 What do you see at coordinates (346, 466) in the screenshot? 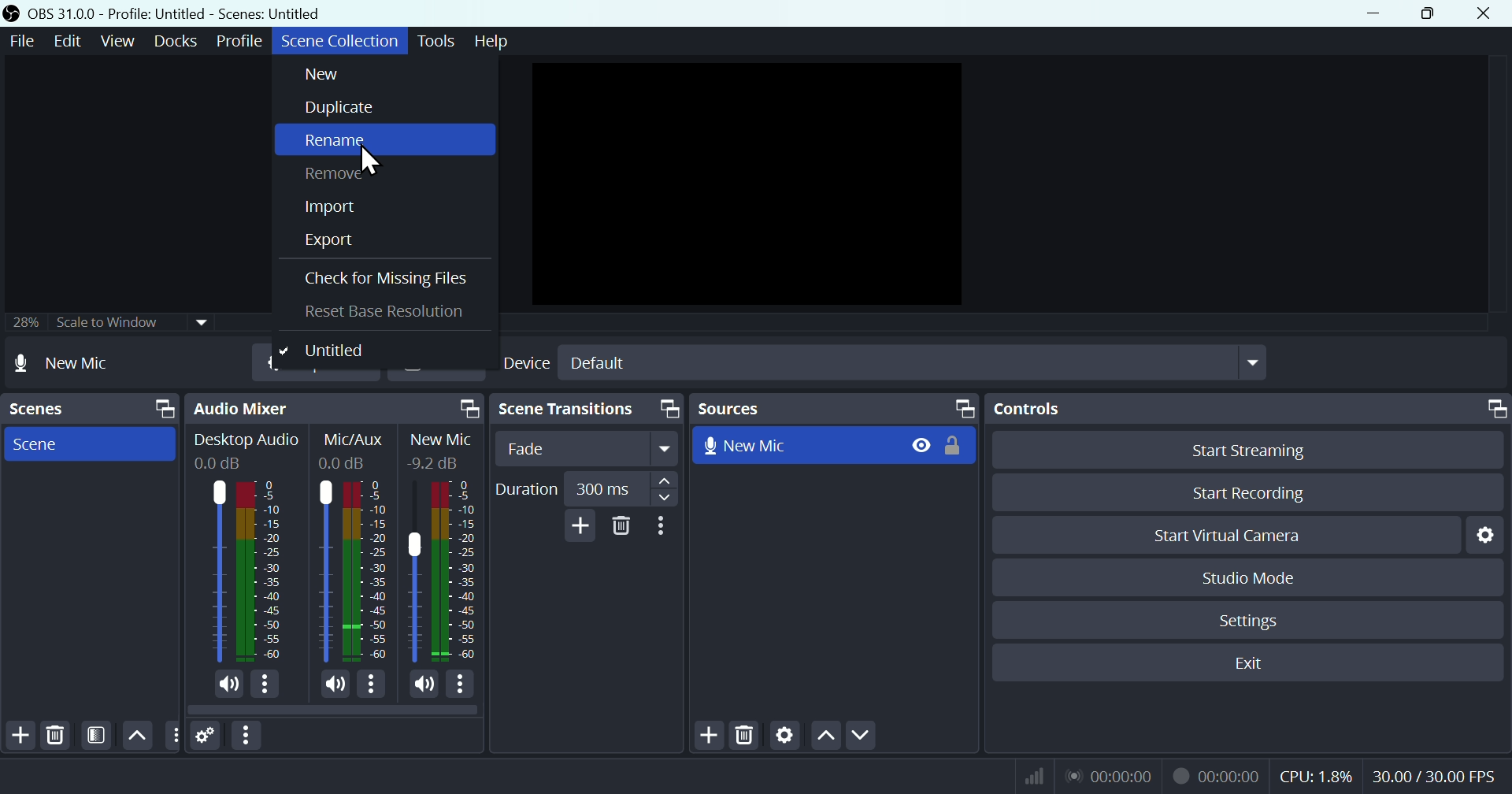
I see `0.0dB` at bounding box center [346, 466].